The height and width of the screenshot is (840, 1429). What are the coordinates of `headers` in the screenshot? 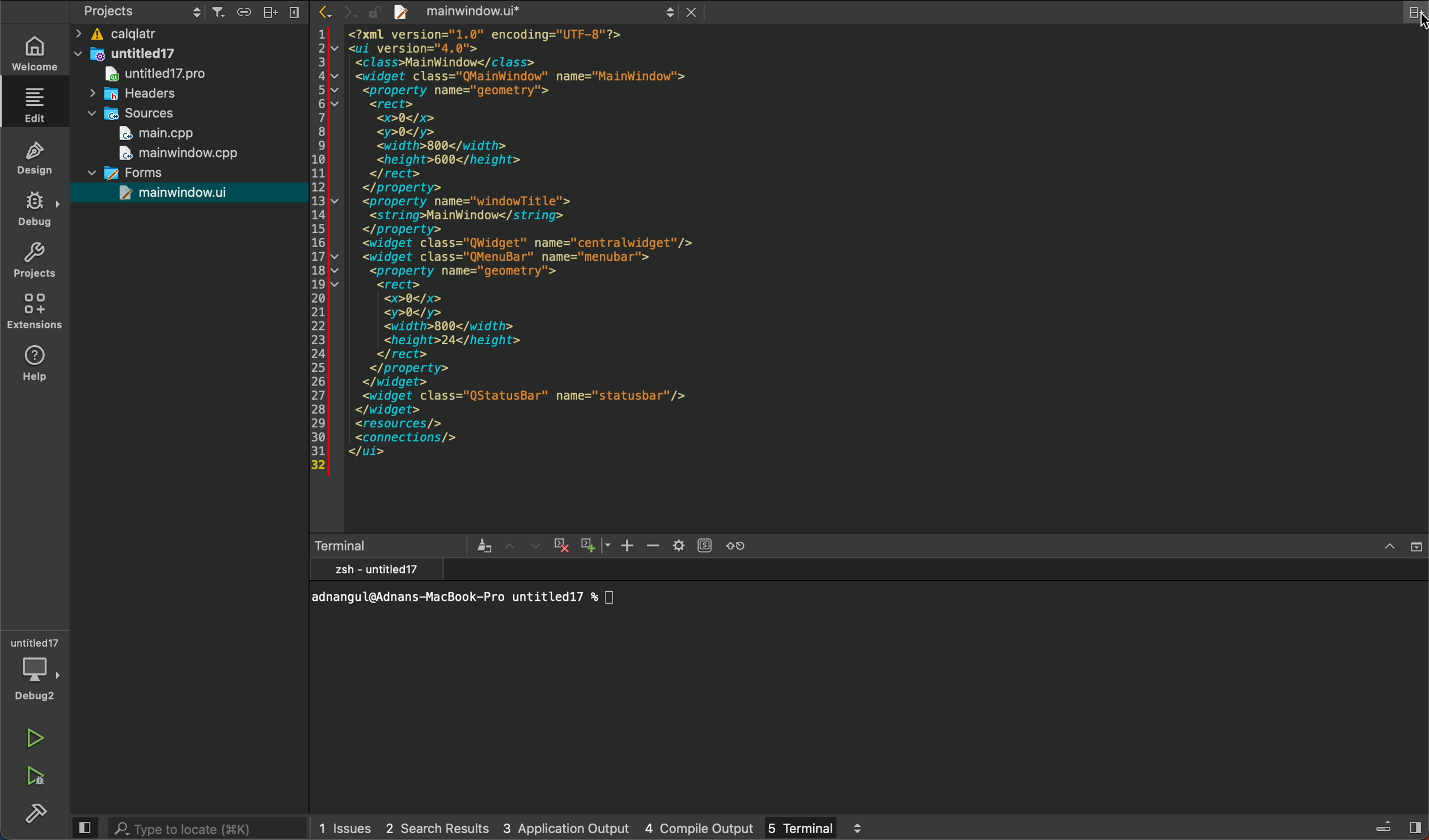 It's located at (133, 95).